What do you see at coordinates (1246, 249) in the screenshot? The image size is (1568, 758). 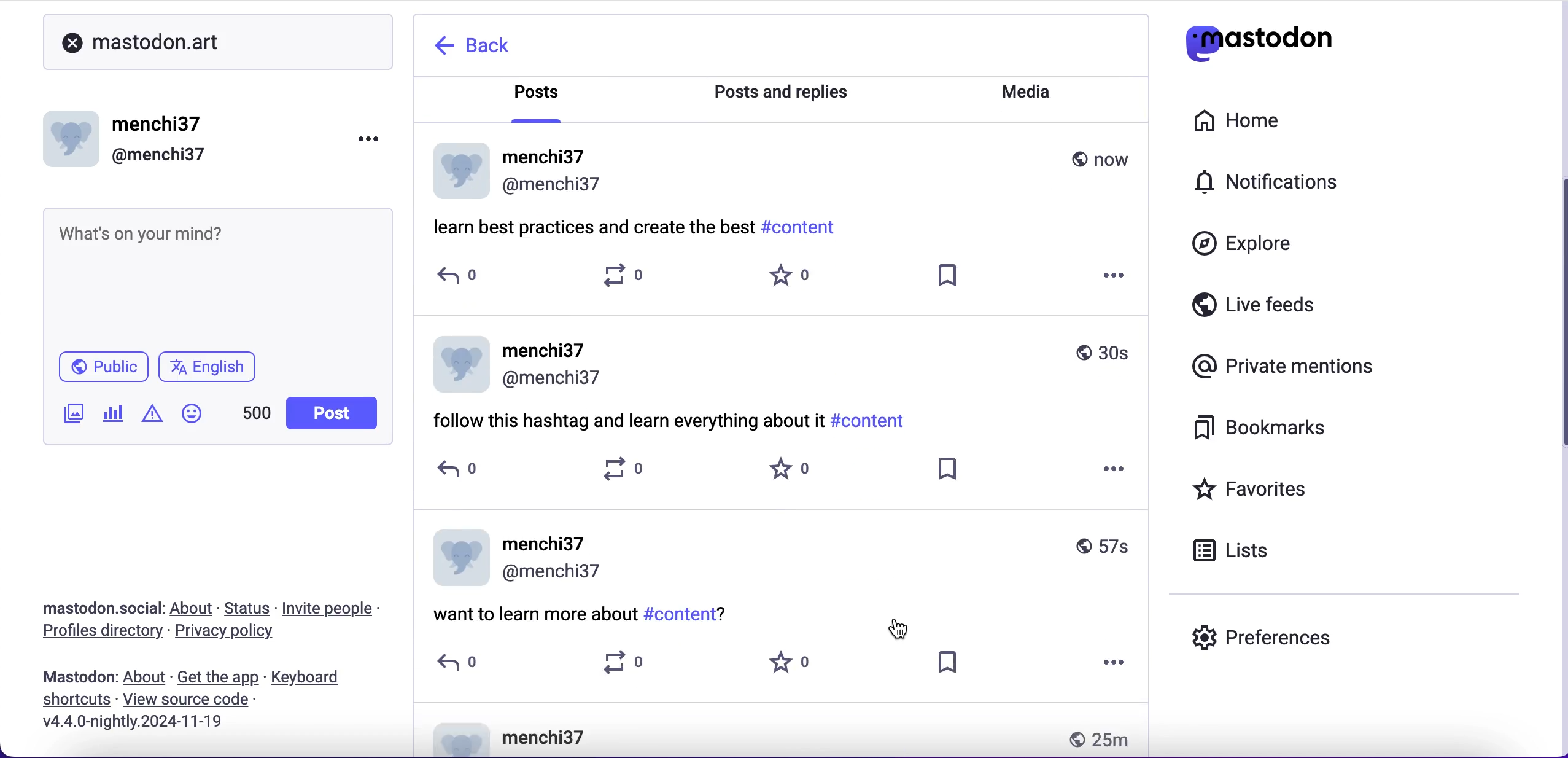 I see `explore` at bounding box center [1246, 249].